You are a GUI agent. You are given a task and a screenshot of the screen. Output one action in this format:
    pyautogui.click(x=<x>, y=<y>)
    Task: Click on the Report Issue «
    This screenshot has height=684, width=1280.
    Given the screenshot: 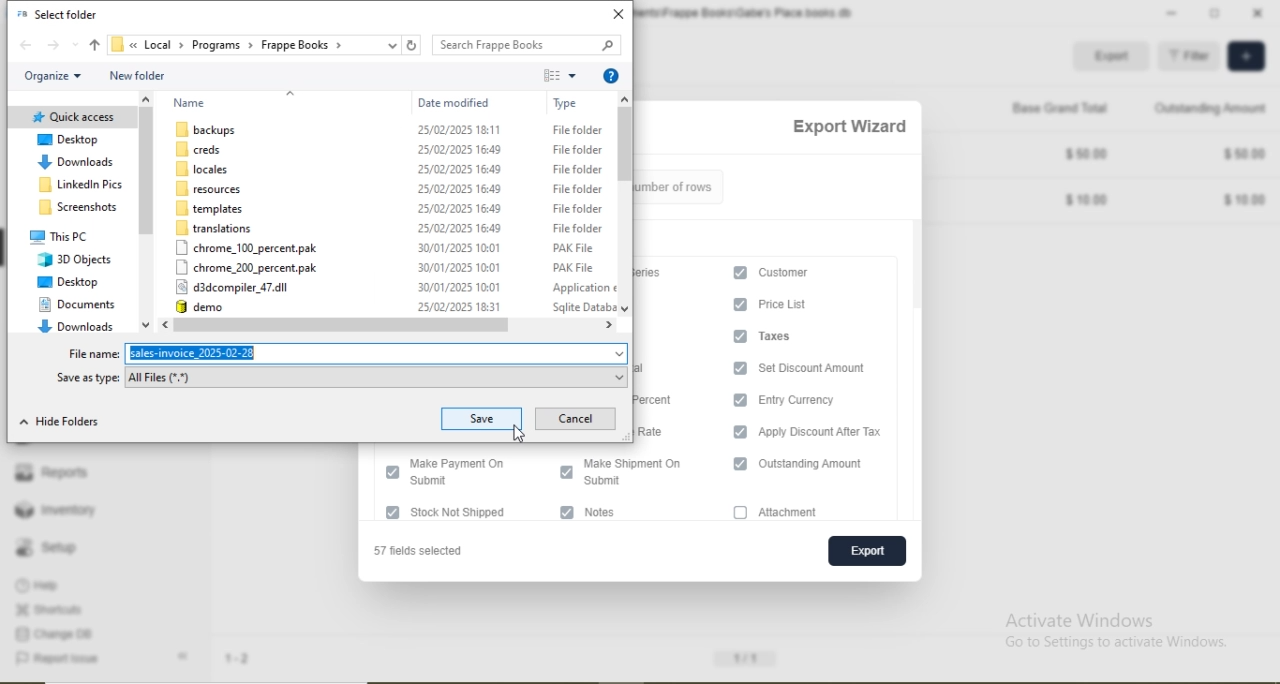 What is the action you would take?
    pyautogui.click(x=106, y=659)
    